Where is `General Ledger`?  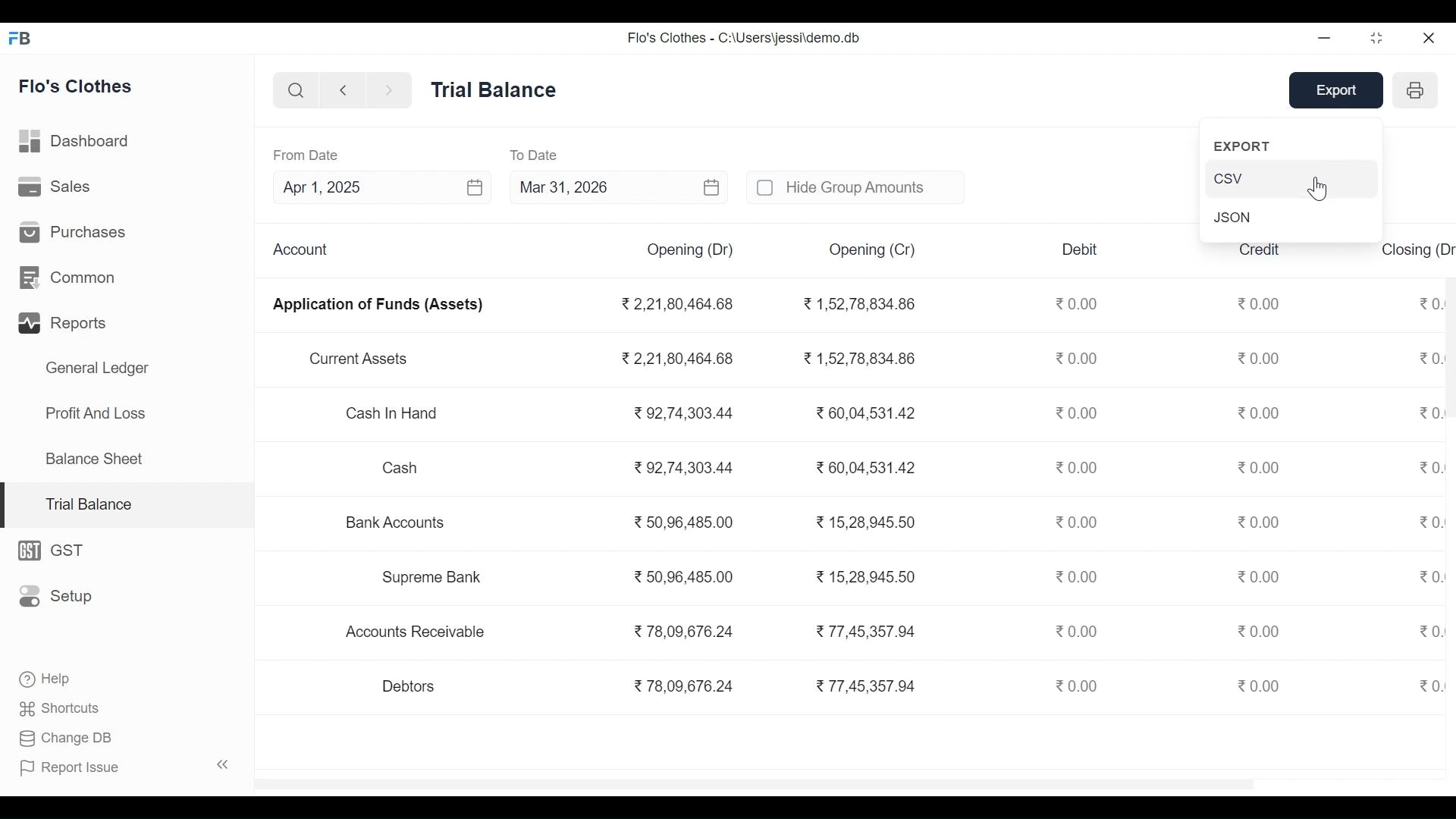 General Ledger is located at coordinates (97, 368).